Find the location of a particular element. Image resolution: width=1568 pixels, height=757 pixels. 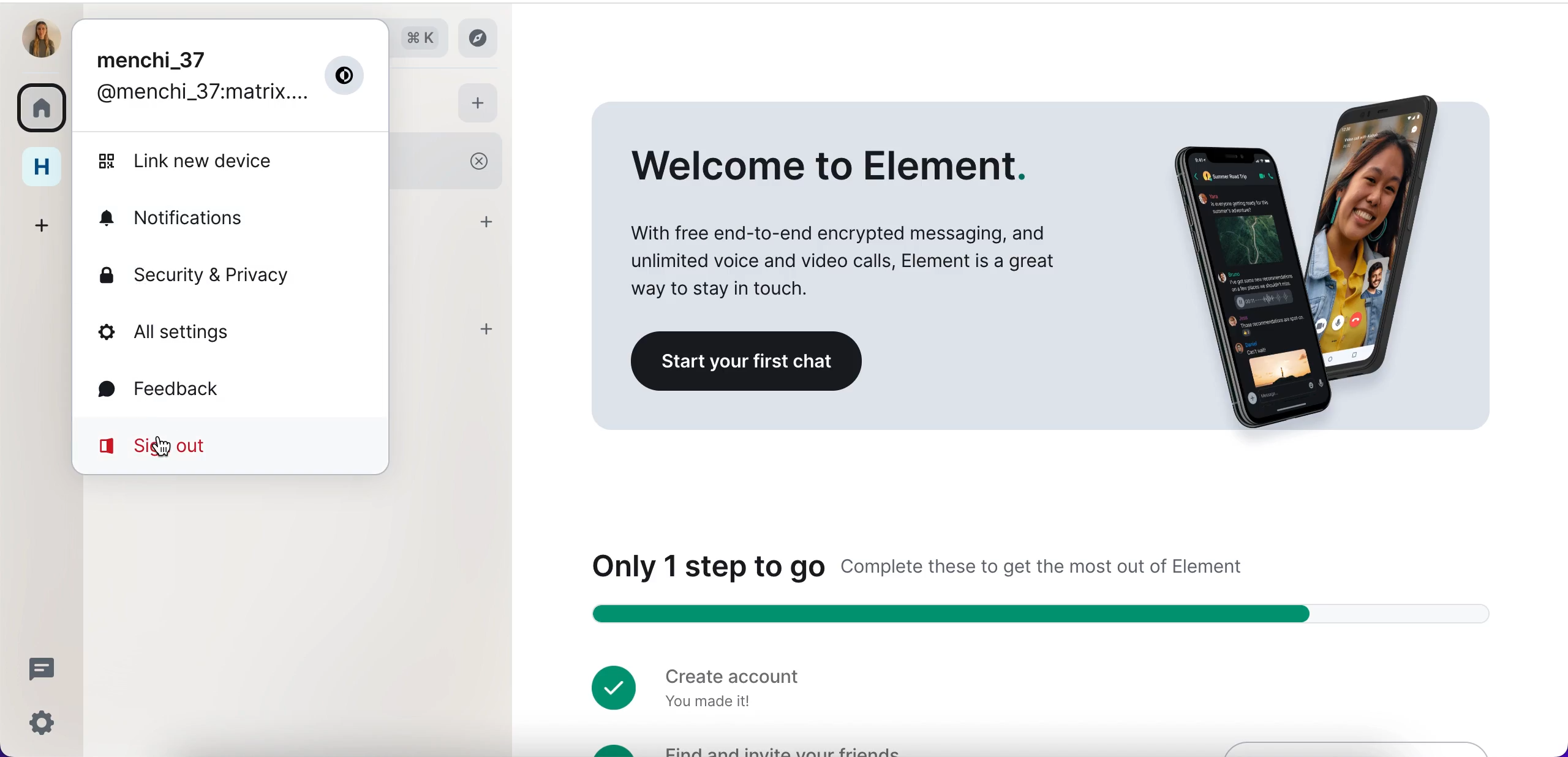

add is located at coordinates (480, 104).